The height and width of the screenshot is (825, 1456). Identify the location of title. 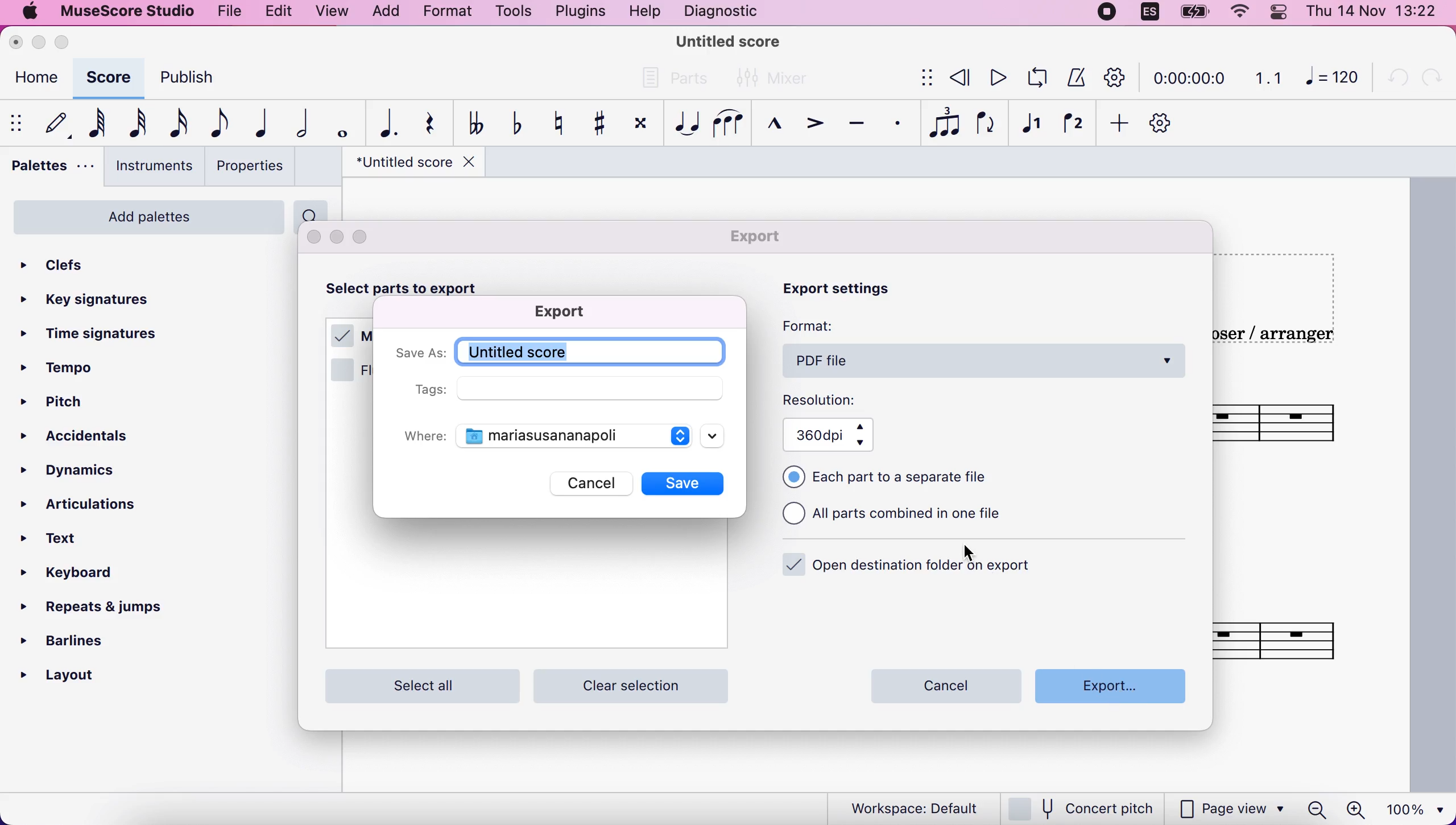
(414, 164).